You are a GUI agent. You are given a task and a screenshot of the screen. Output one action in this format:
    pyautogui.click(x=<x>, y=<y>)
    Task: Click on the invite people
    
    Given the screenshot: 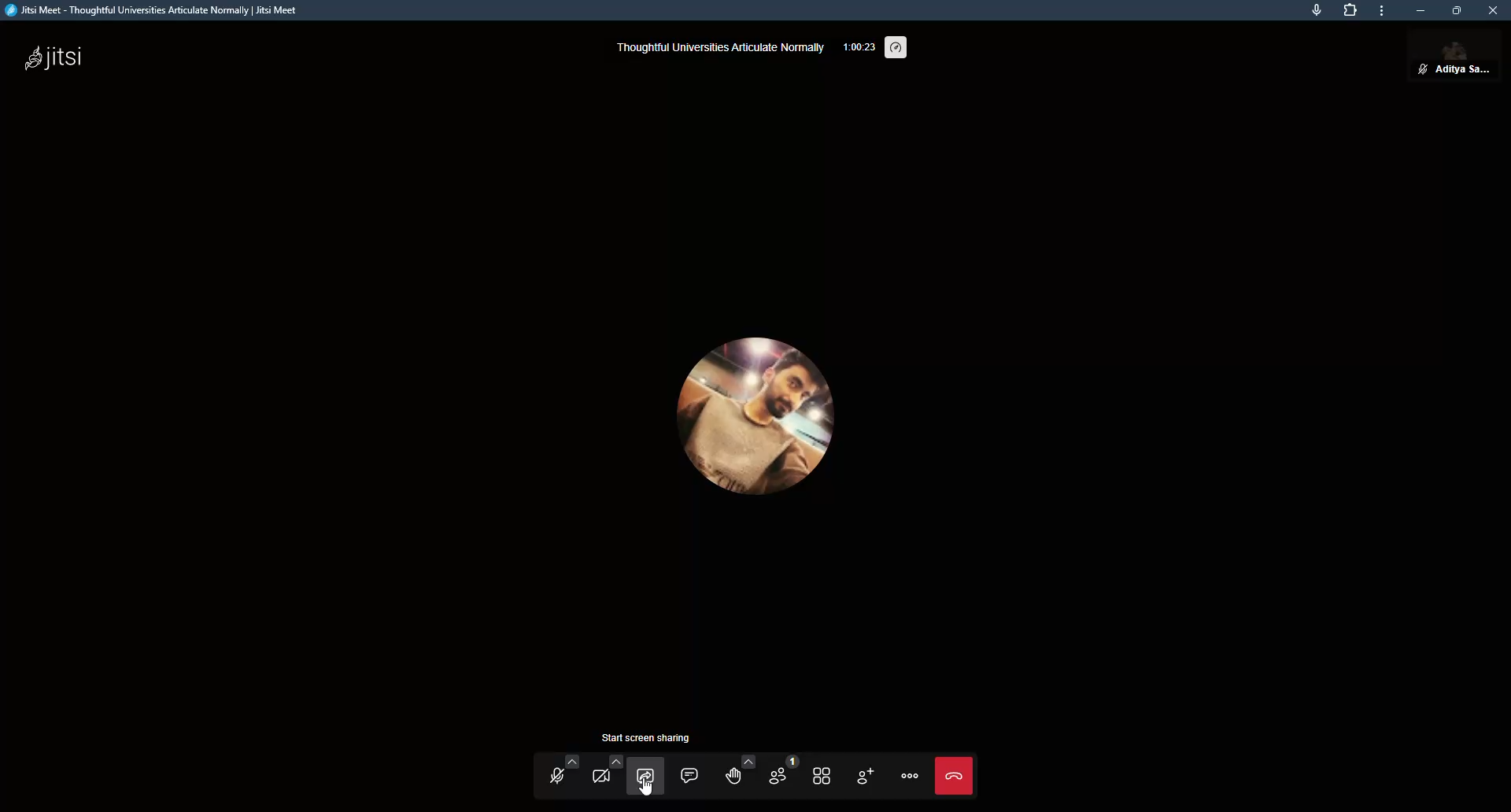 What is the action you would take?
    pyautogui.click(x=866, y=777)
    